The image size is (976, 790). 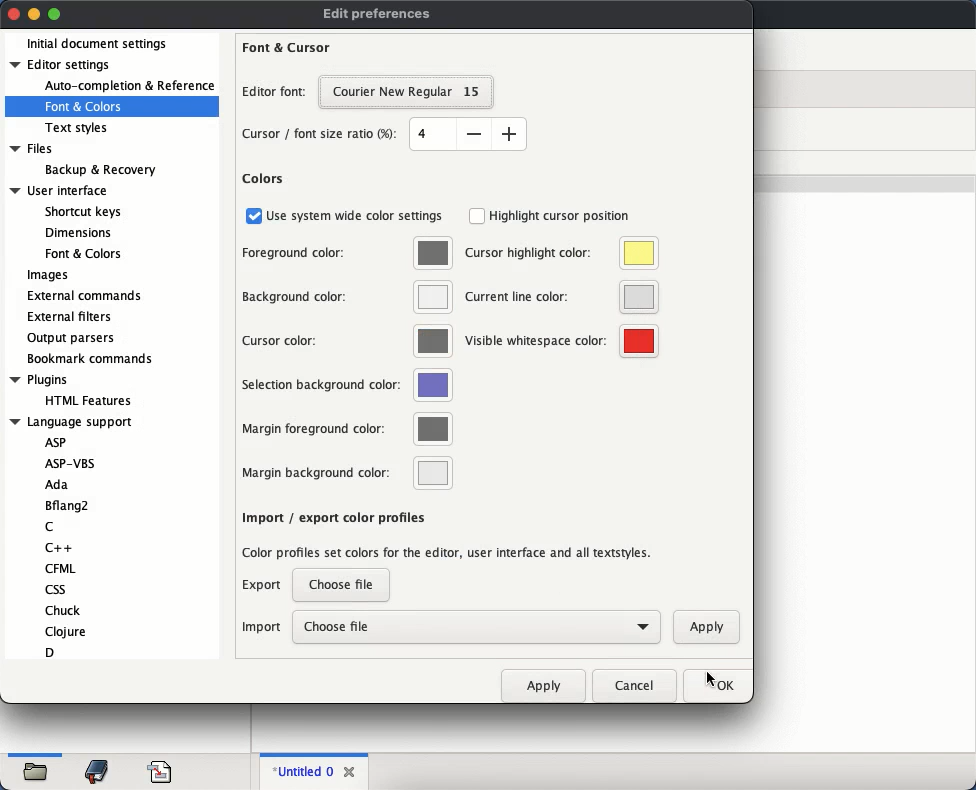 I want to click on edit preferences, so click(x=377, y=14).